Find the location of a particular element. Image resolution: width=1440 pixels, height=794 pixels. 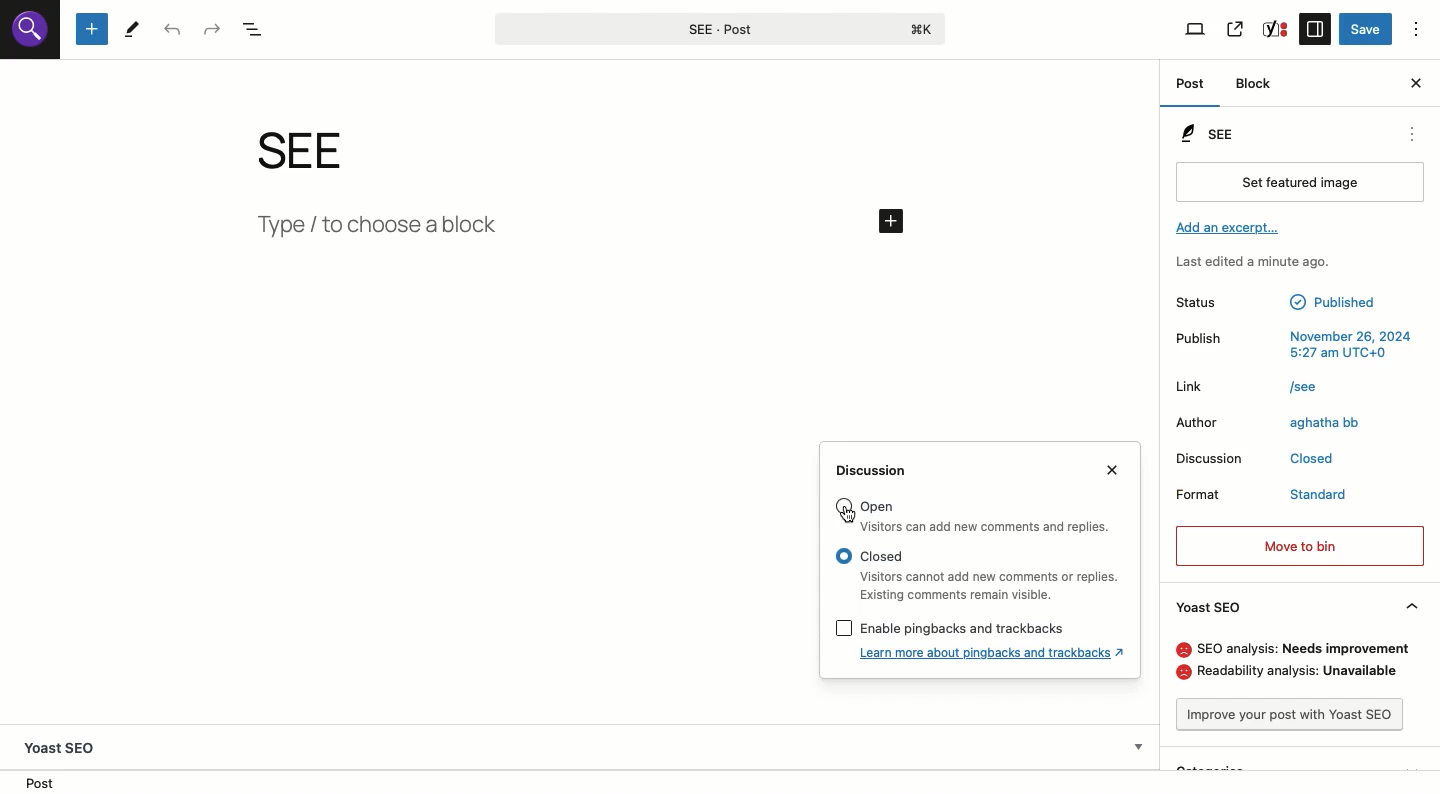

Location  is located at coordinates (43, 782).